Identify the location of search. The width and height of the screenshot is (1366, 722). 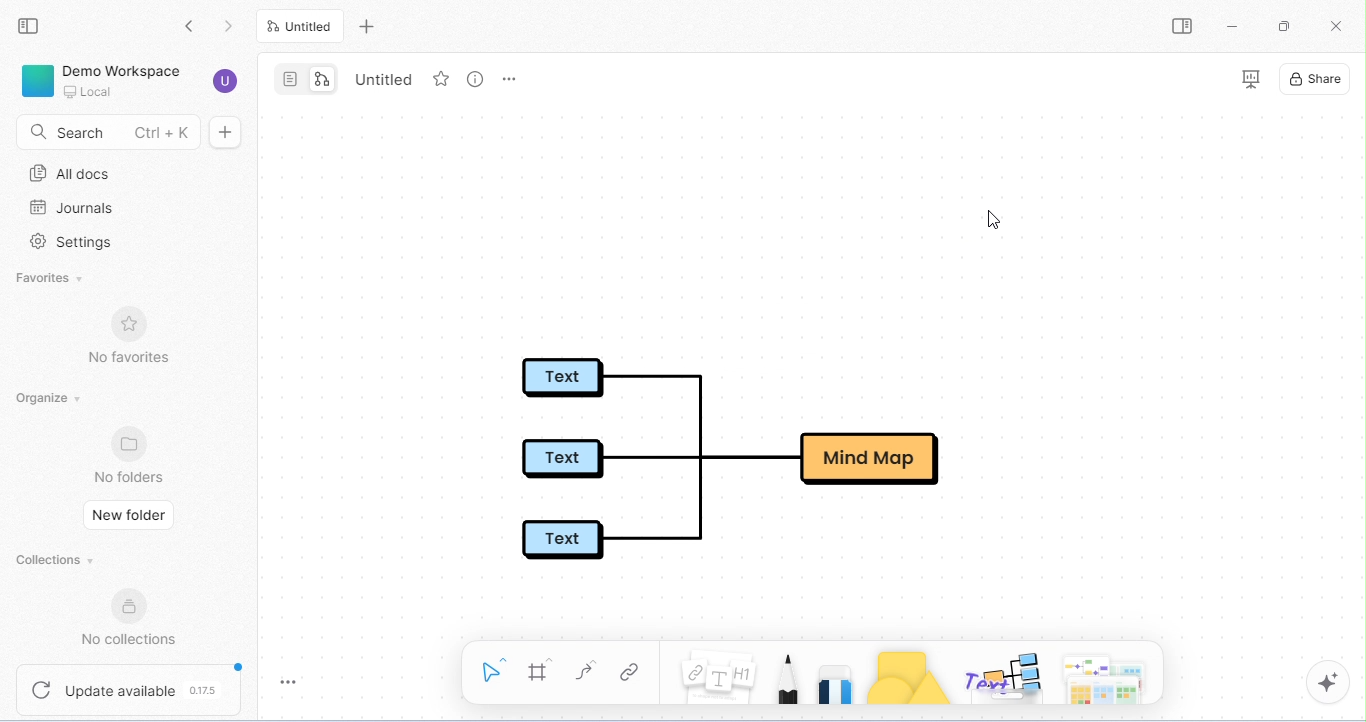
(104, 130).